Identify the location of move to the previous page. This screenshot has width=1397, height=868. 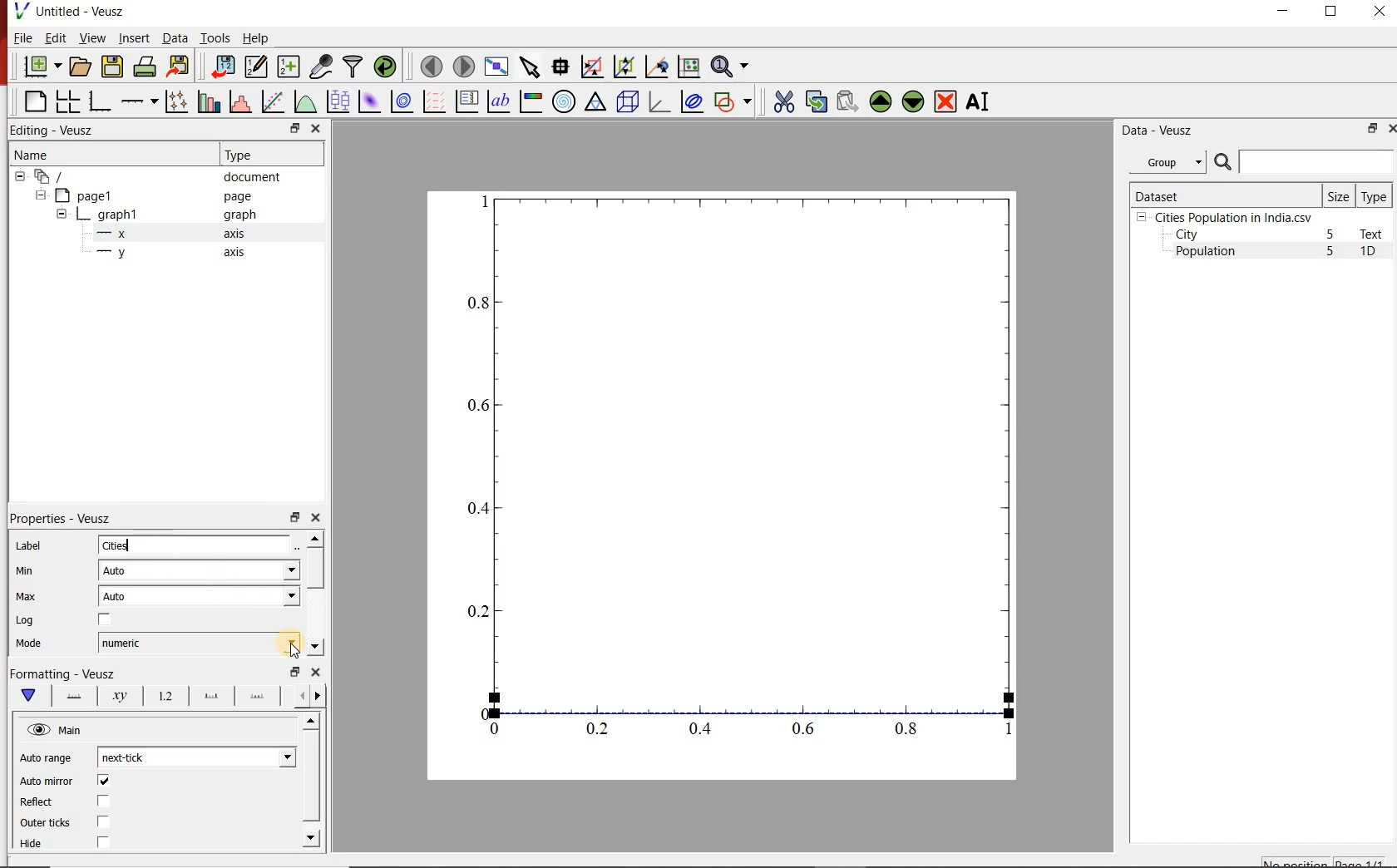
(429, 65).